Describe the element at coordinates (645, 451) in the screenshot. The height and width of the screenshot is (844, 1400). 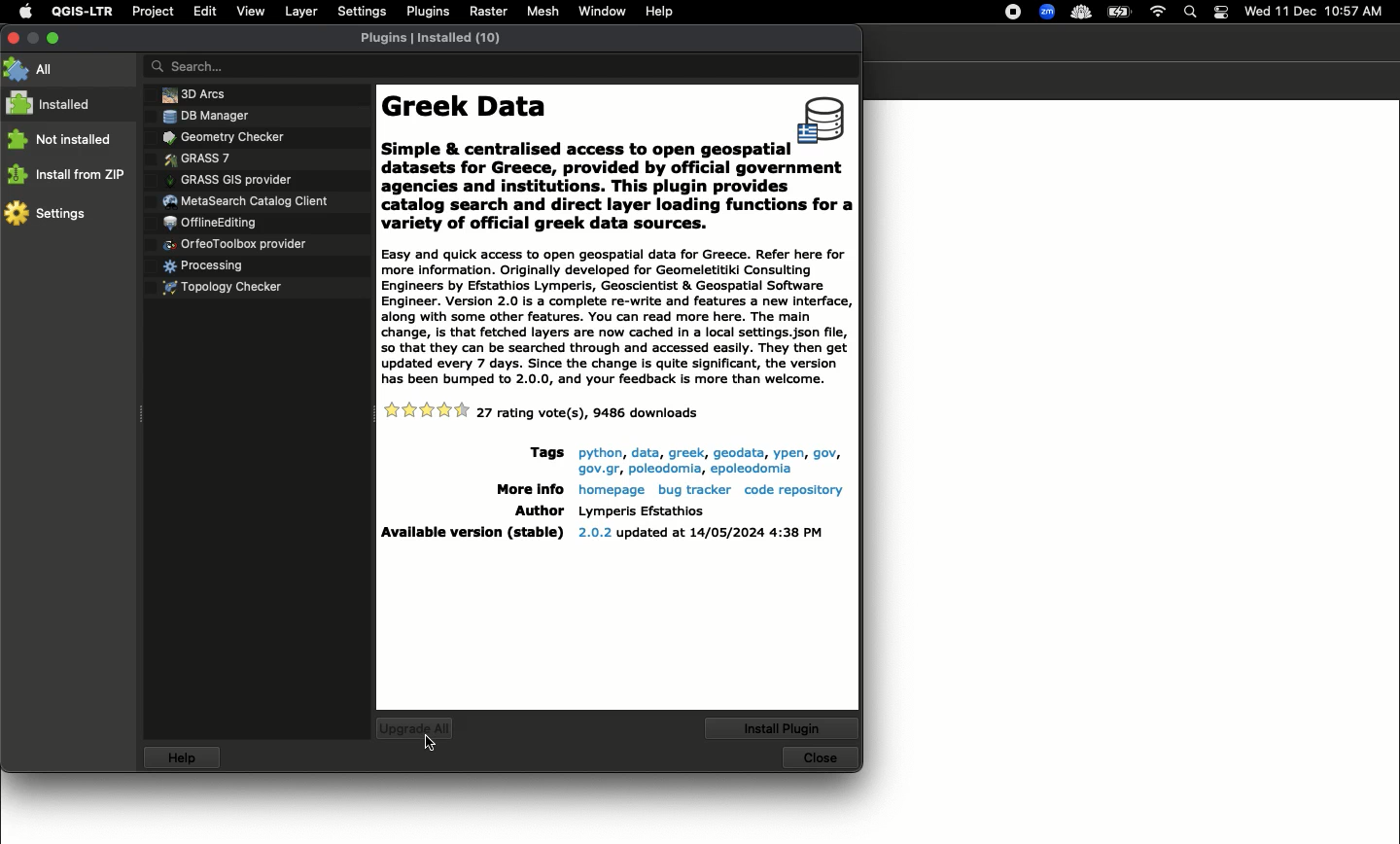
I see `data` at that location.